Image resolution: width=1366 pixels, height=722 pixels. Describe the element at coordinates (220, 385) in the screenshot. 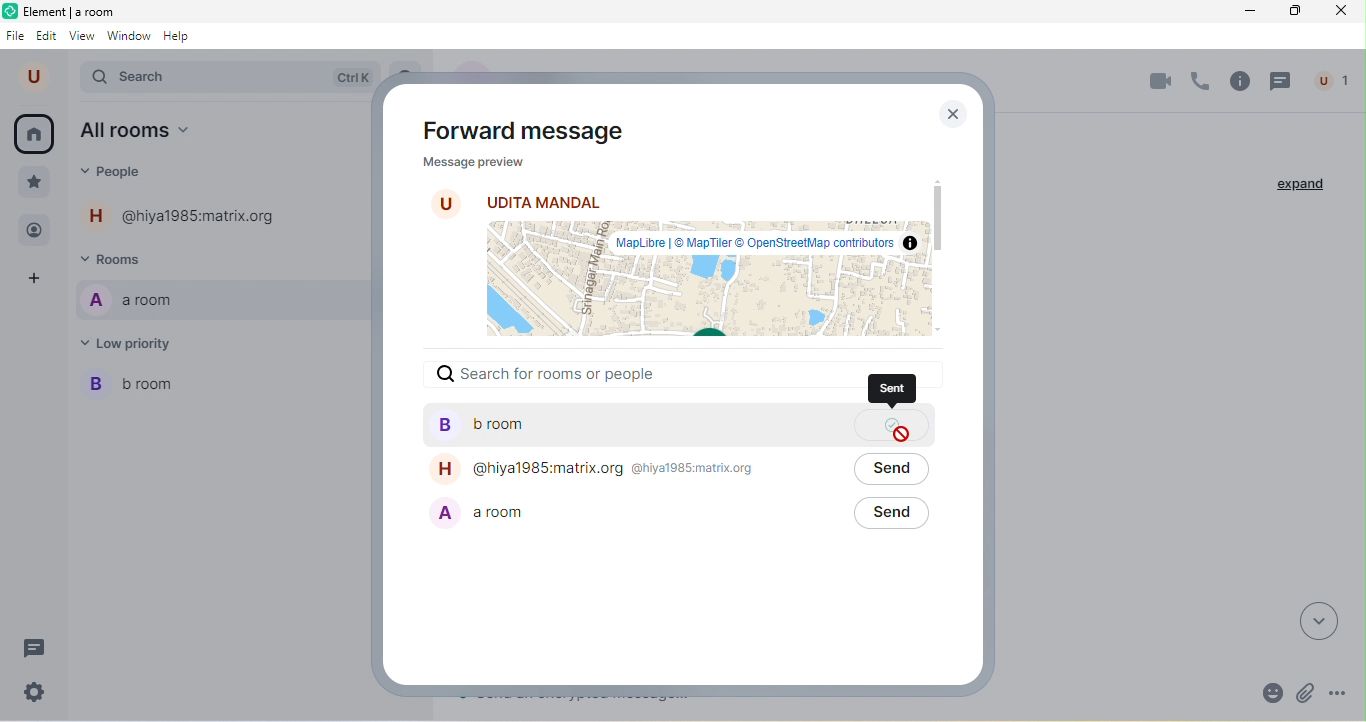

I see `b room` at that location.